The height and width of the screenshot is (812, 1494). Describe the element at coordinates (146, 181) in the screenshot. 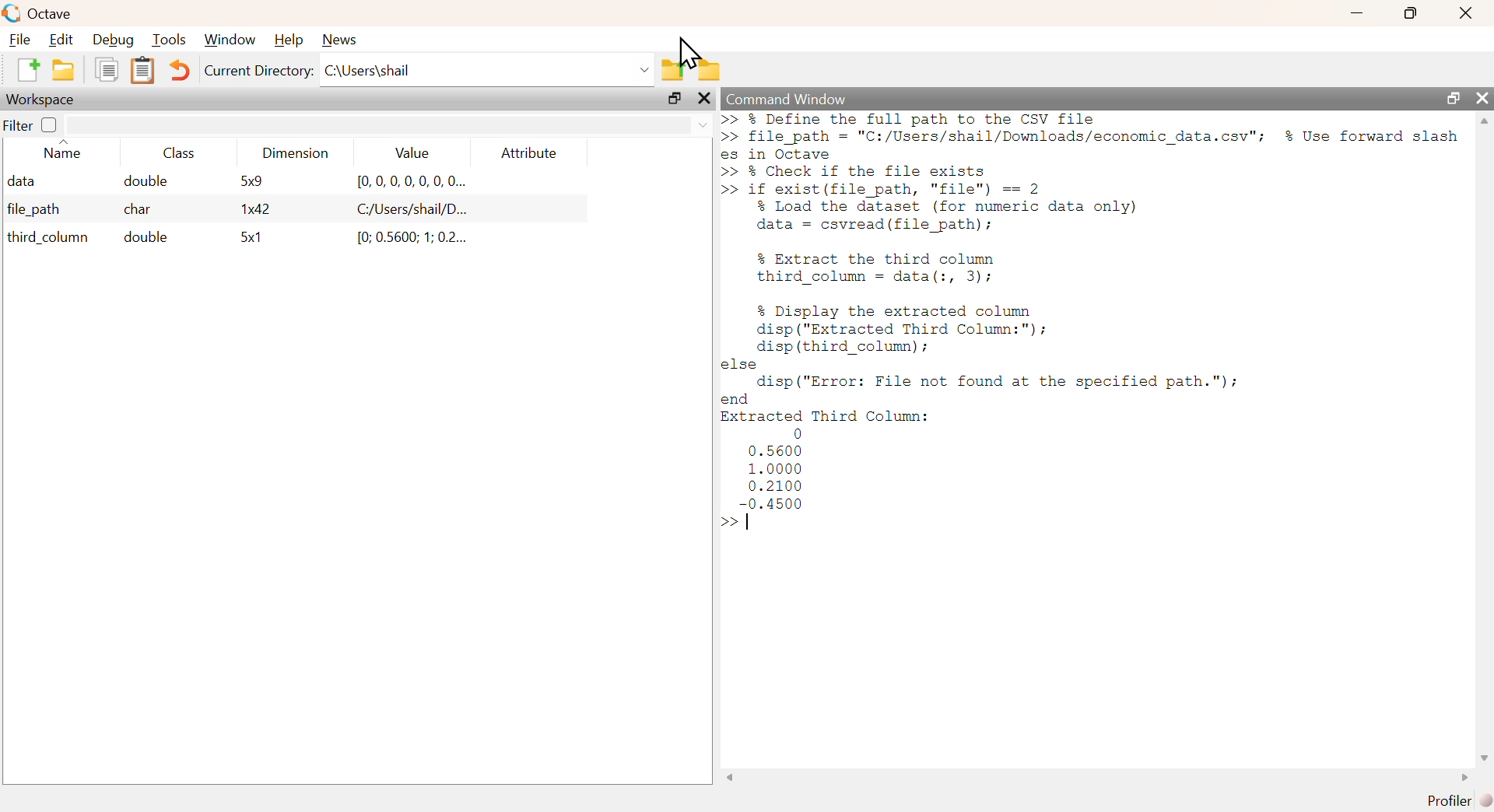

I see `double` at that location.